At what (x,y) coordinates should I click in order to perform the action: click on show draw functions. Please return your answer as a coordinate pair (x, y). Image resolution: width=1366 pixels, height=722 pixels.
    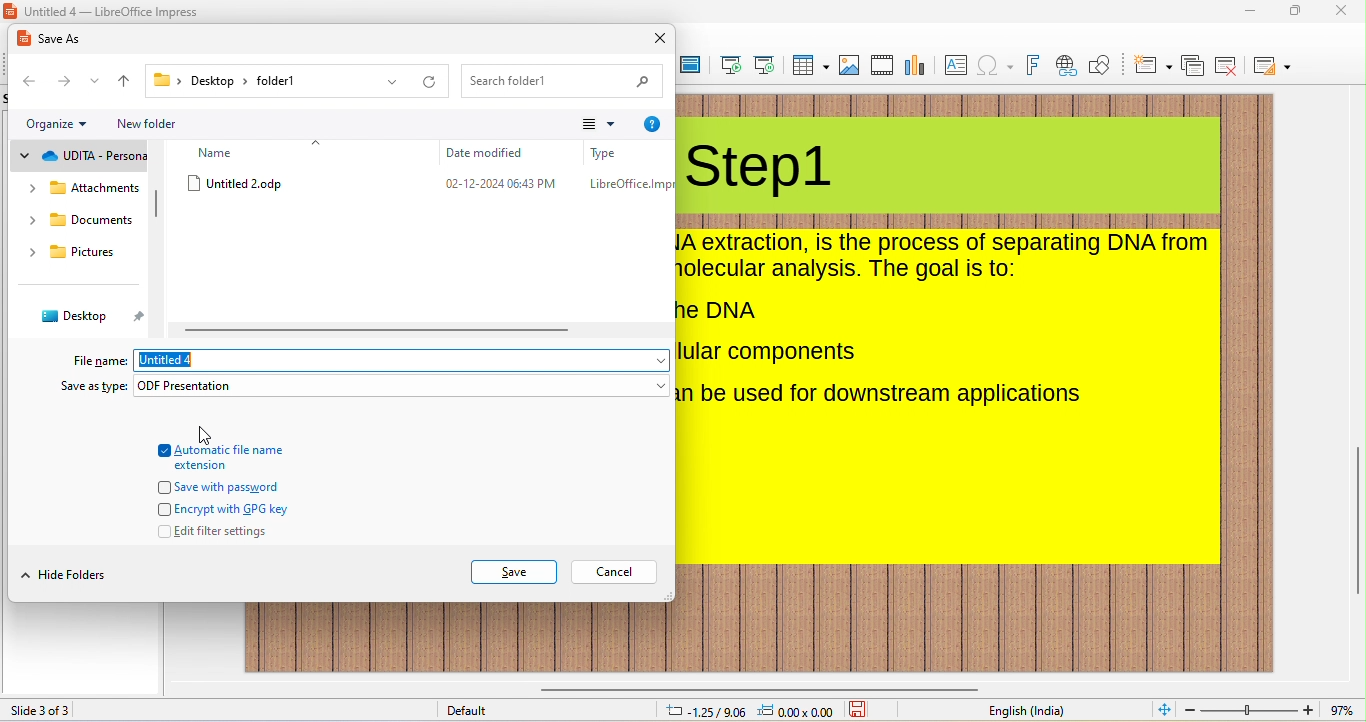
    Looking at the image, I should click on (1103, 67).